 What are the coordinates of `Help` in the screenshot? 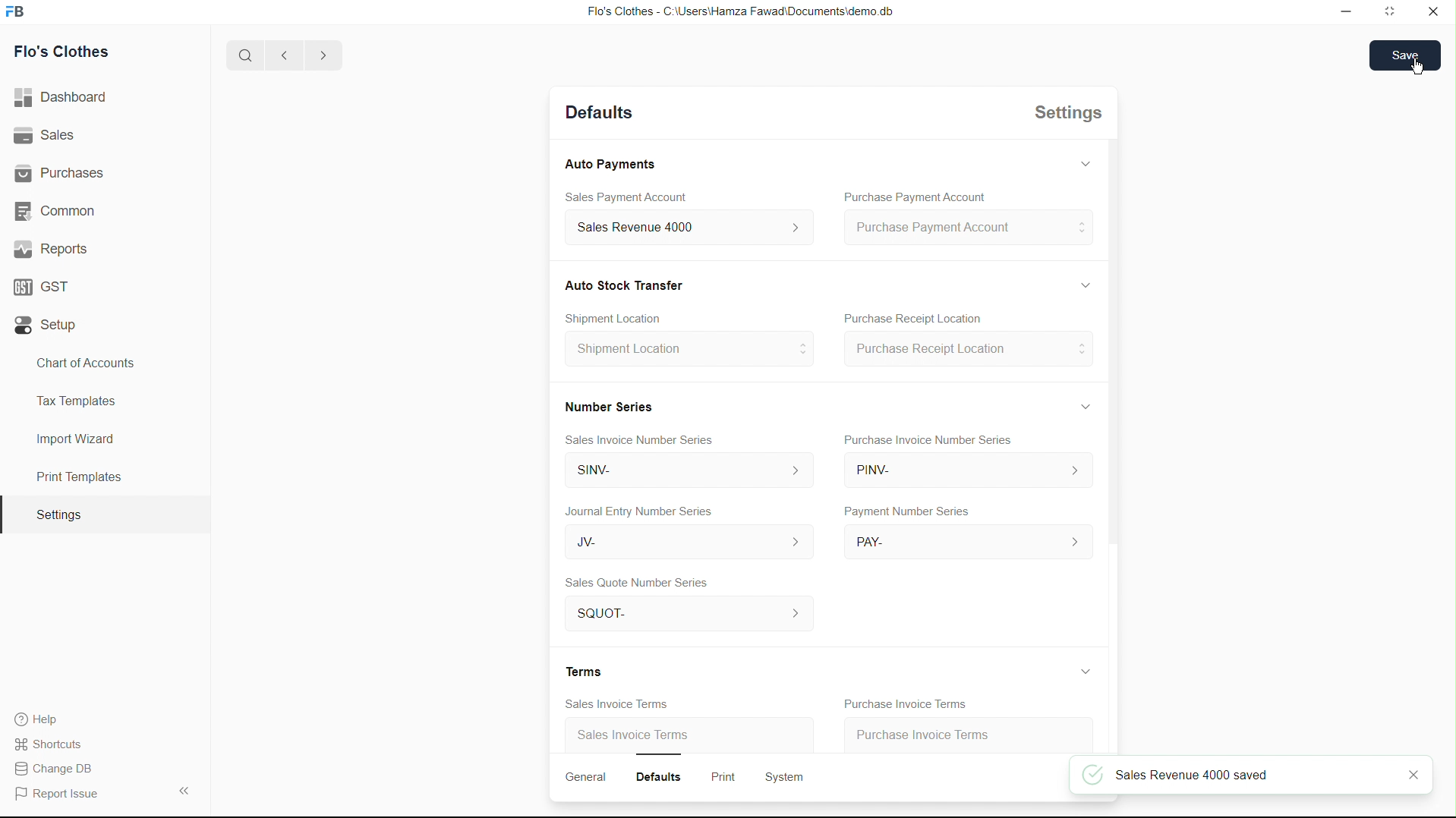 It's located at (36, 719).